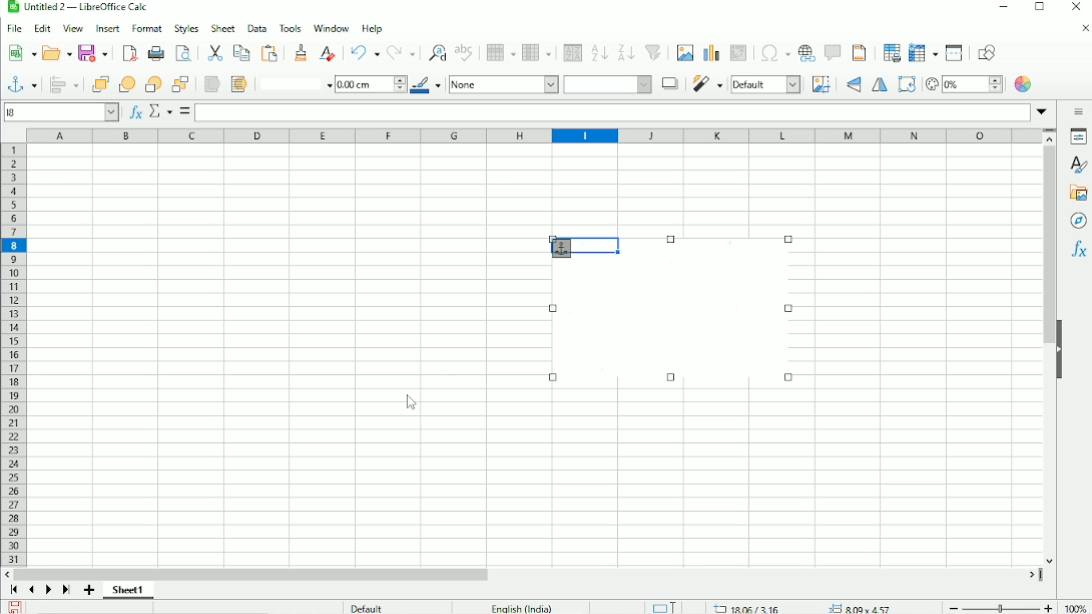  Describe the element at coordinates (853, 83) in the screenshot. I see `flip vertically` at that location.